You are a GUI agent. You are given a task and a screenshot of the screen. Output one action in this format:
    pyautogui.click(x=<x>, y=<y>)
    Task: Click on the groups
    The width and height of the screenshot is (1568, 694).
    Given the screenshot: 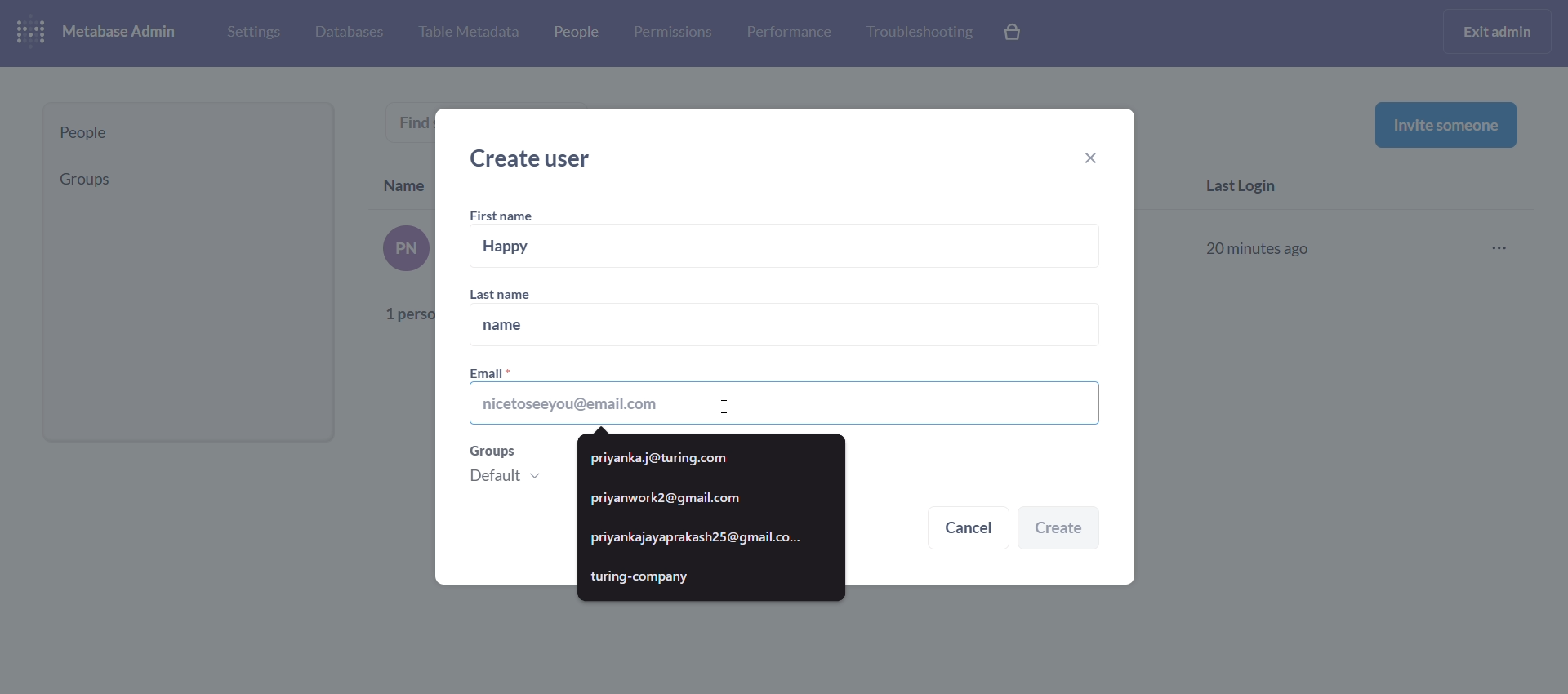 What is the action you would take?
    pyautogui.click(x=182, y=179)
    